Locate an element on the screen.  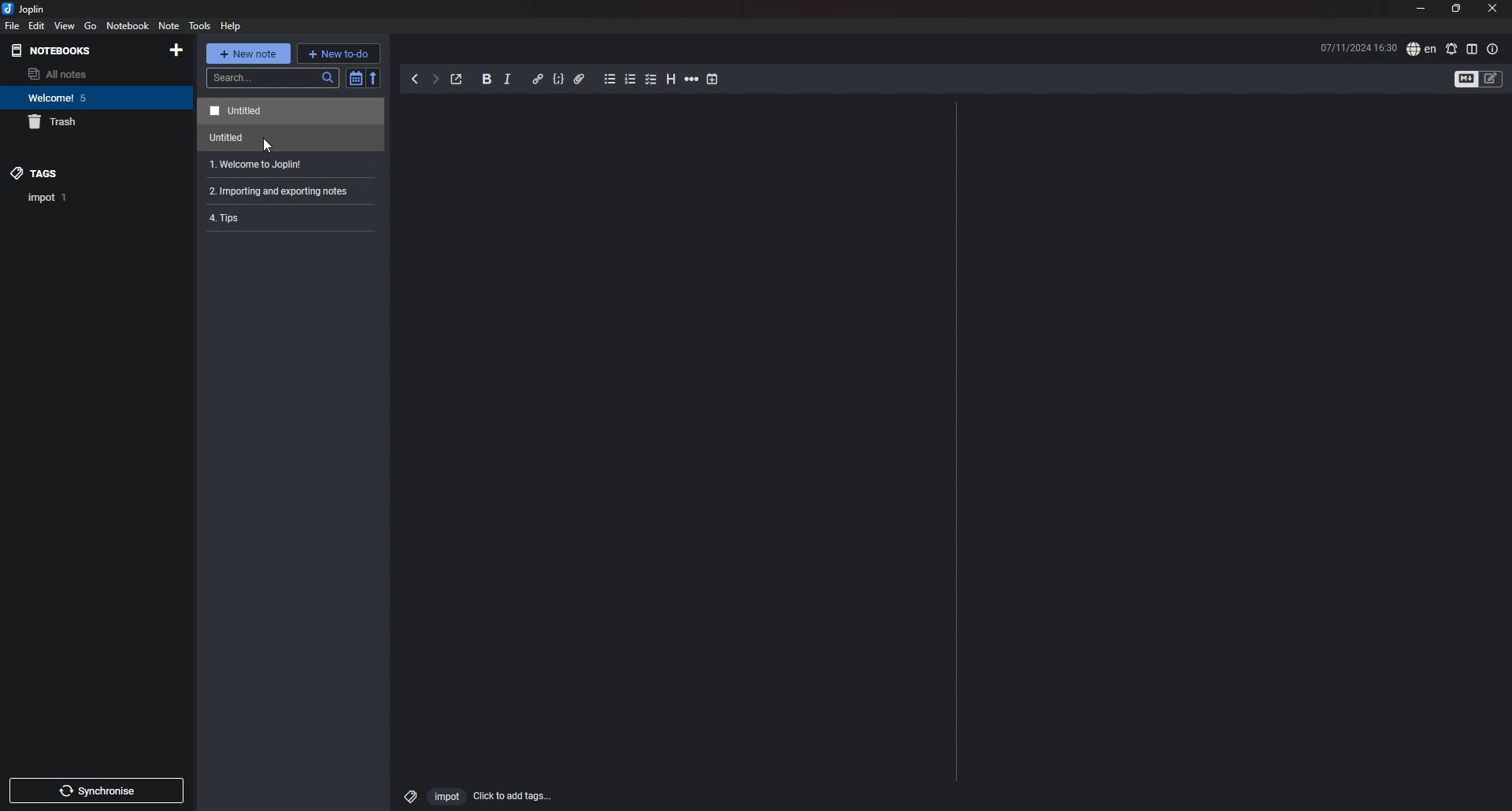
trash is located at coordinates (83, 123).